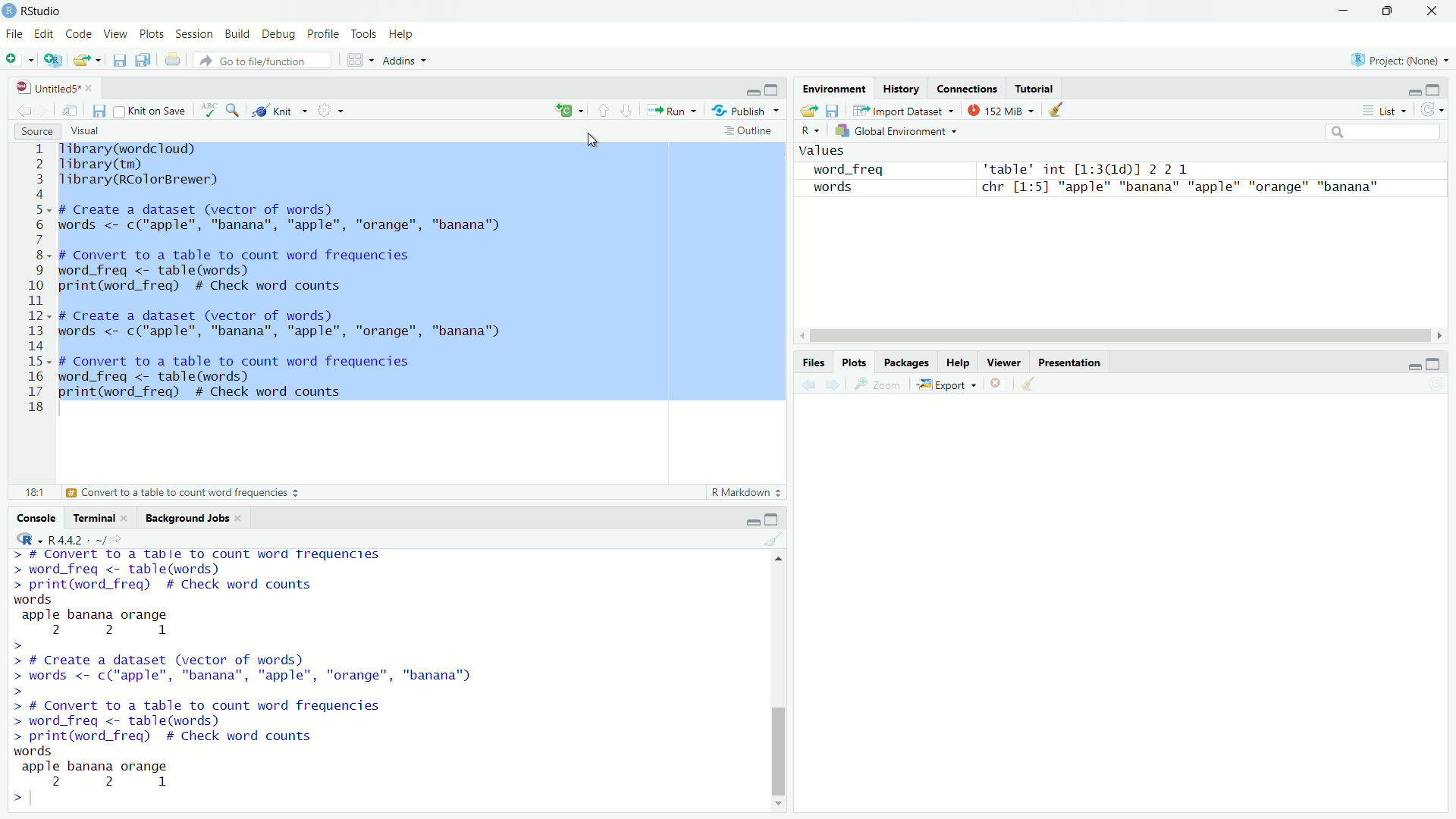 The width and height of the screenshot is (1456, 819). Describe the element at coordinates (208, 111) in the screenshot. I see `Check Spelling` at that location.